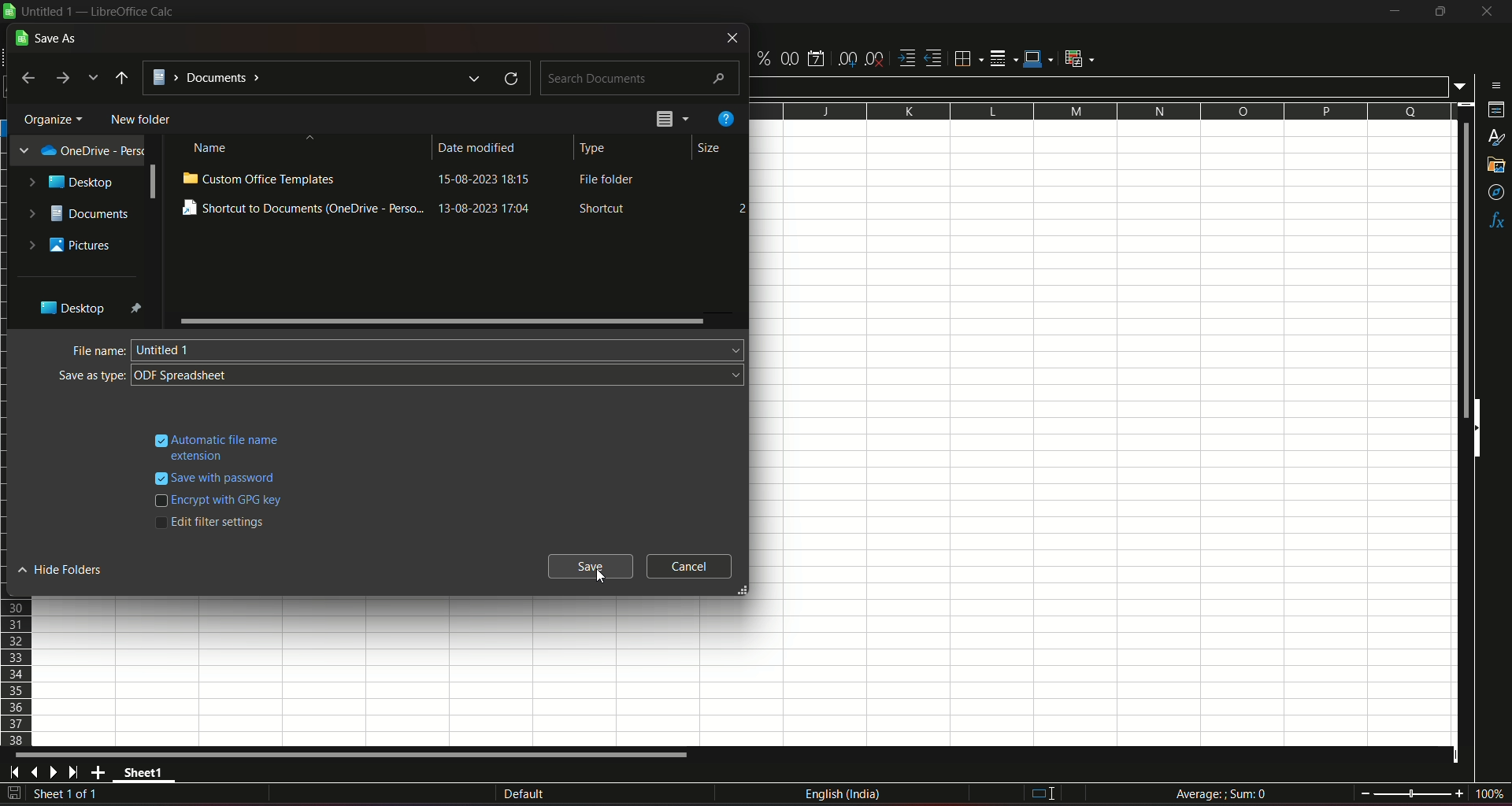 The image size is (1512, 806). I want to click on next sheet, so click(57, 773).